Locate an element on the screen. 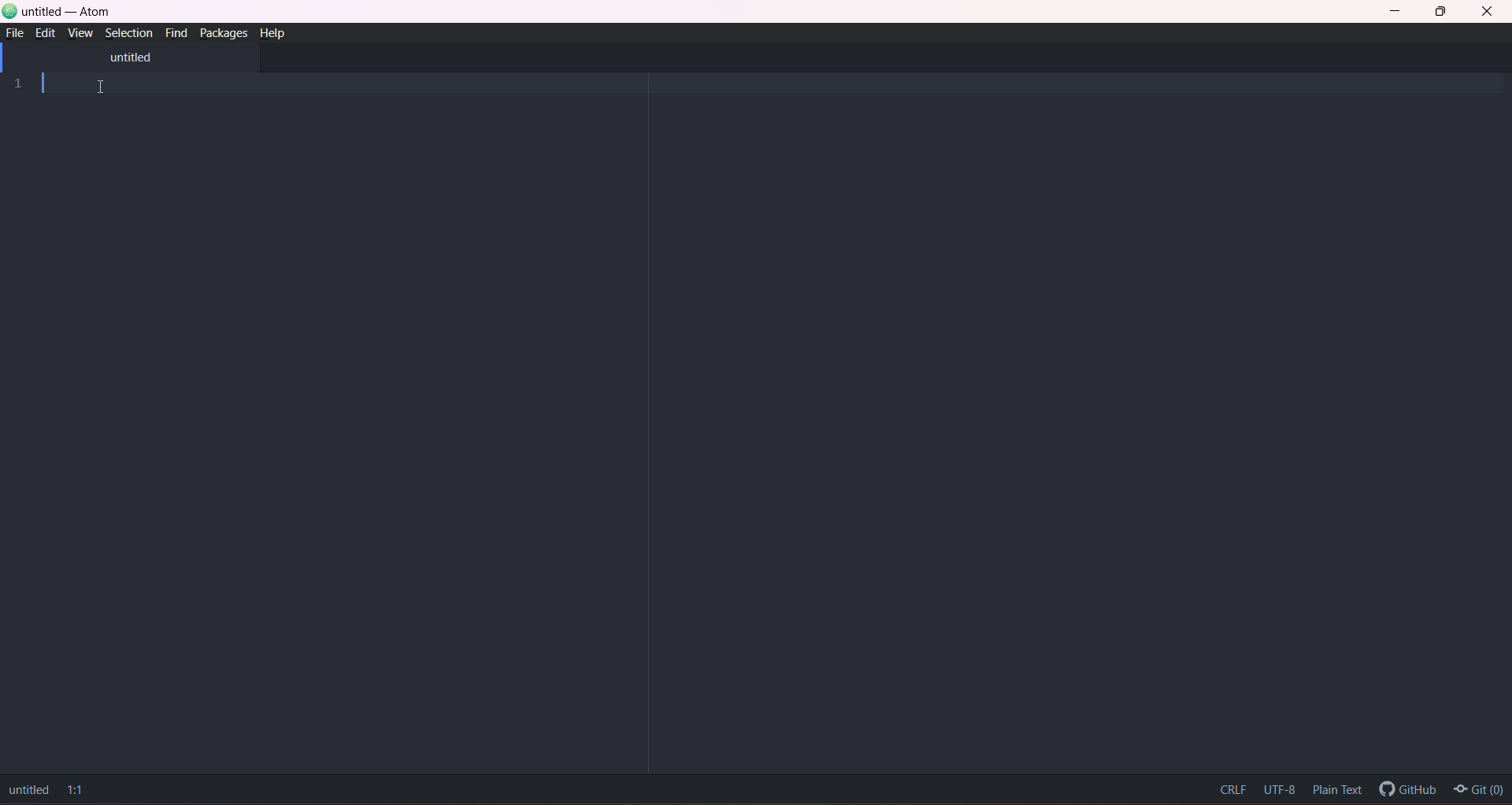 The height and width of the screenshot is (805, 1512). UTF-8 is located at coordinates (1279, 787).